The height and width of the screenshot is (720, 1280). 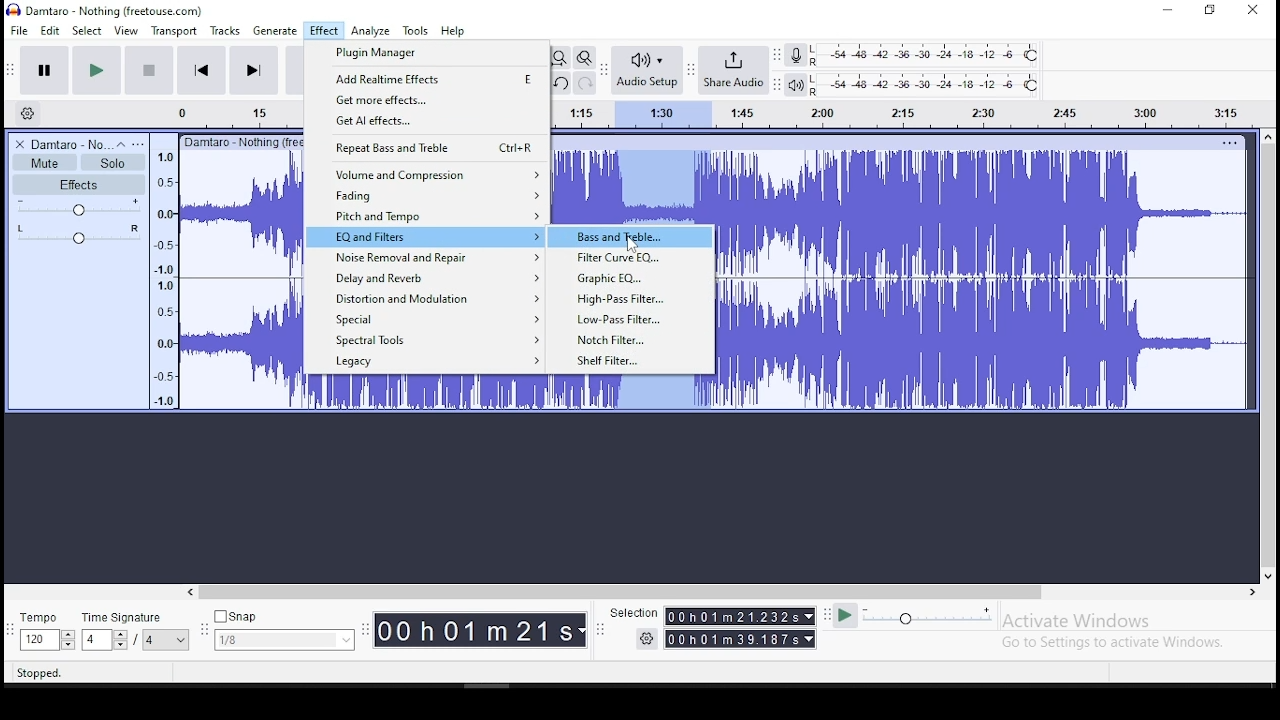 I want to click on repeat, so click(x=425, y=147).